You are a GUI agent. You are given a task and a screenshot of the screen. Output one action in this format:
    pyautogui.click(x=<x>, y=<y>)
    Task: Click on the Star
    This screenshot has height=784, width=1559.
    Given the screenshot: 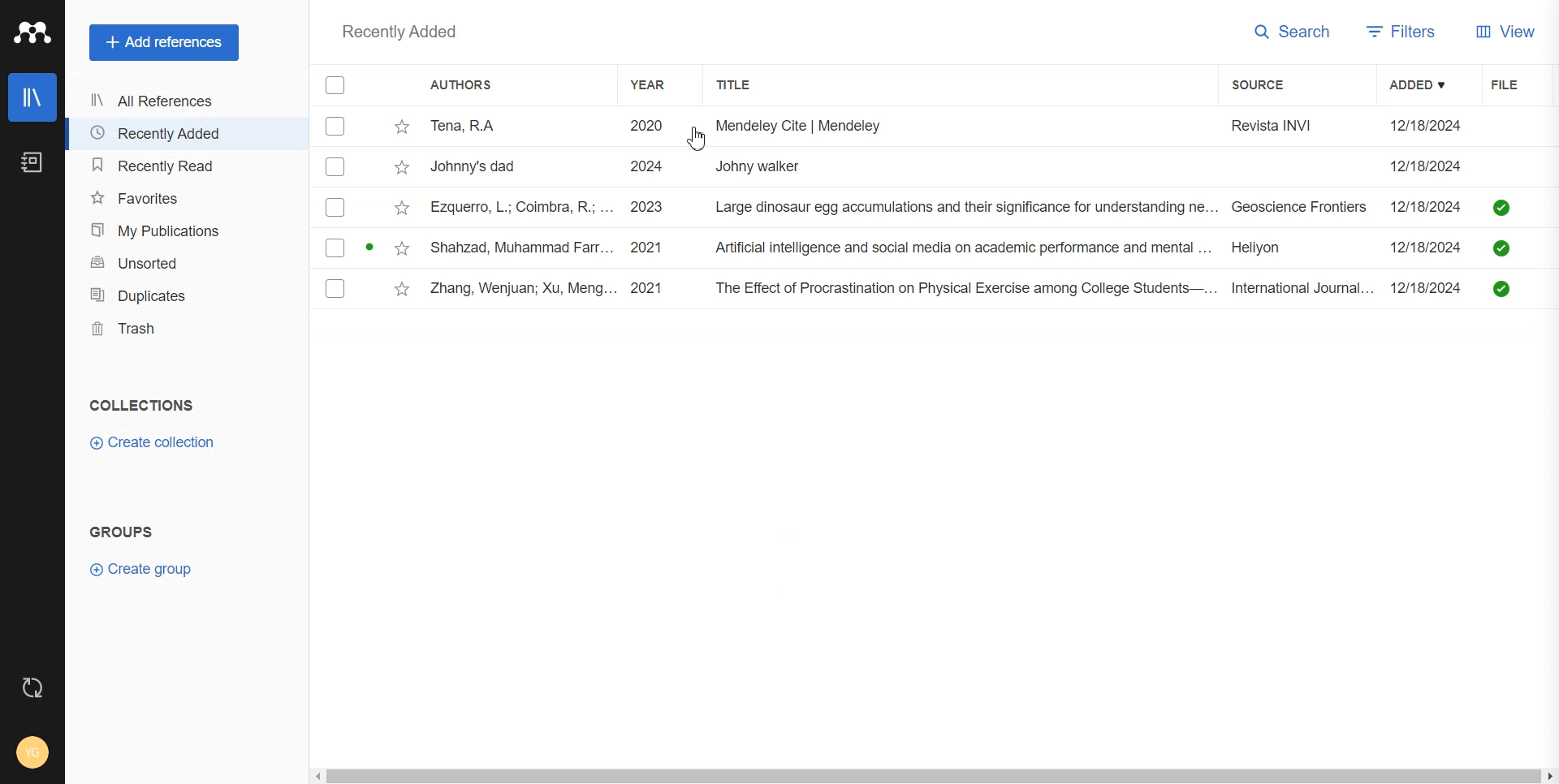 What is the action you would take?
    pyautogui.click(x=403, y=166)
    